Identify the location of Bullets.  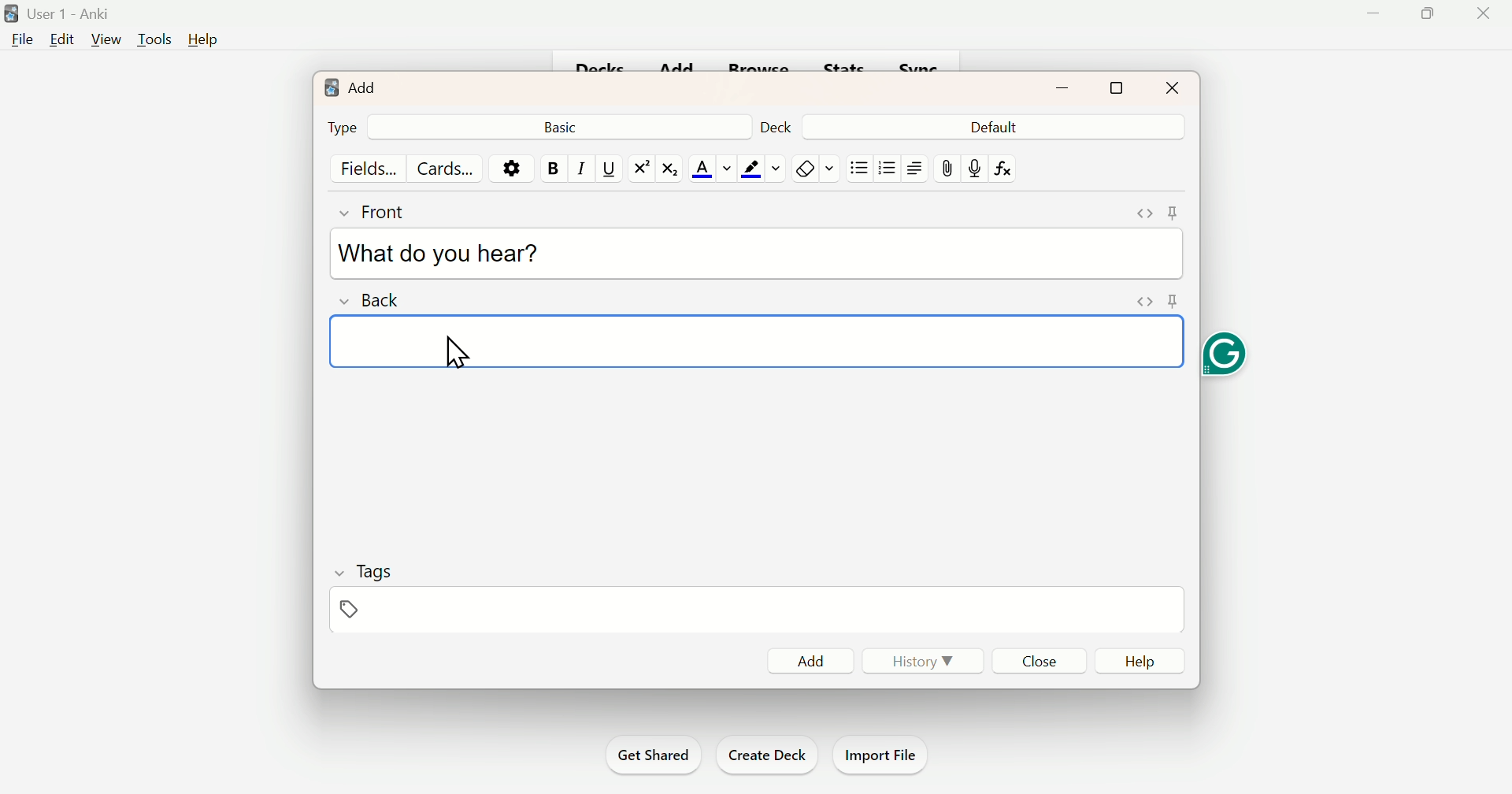
(887, 171).